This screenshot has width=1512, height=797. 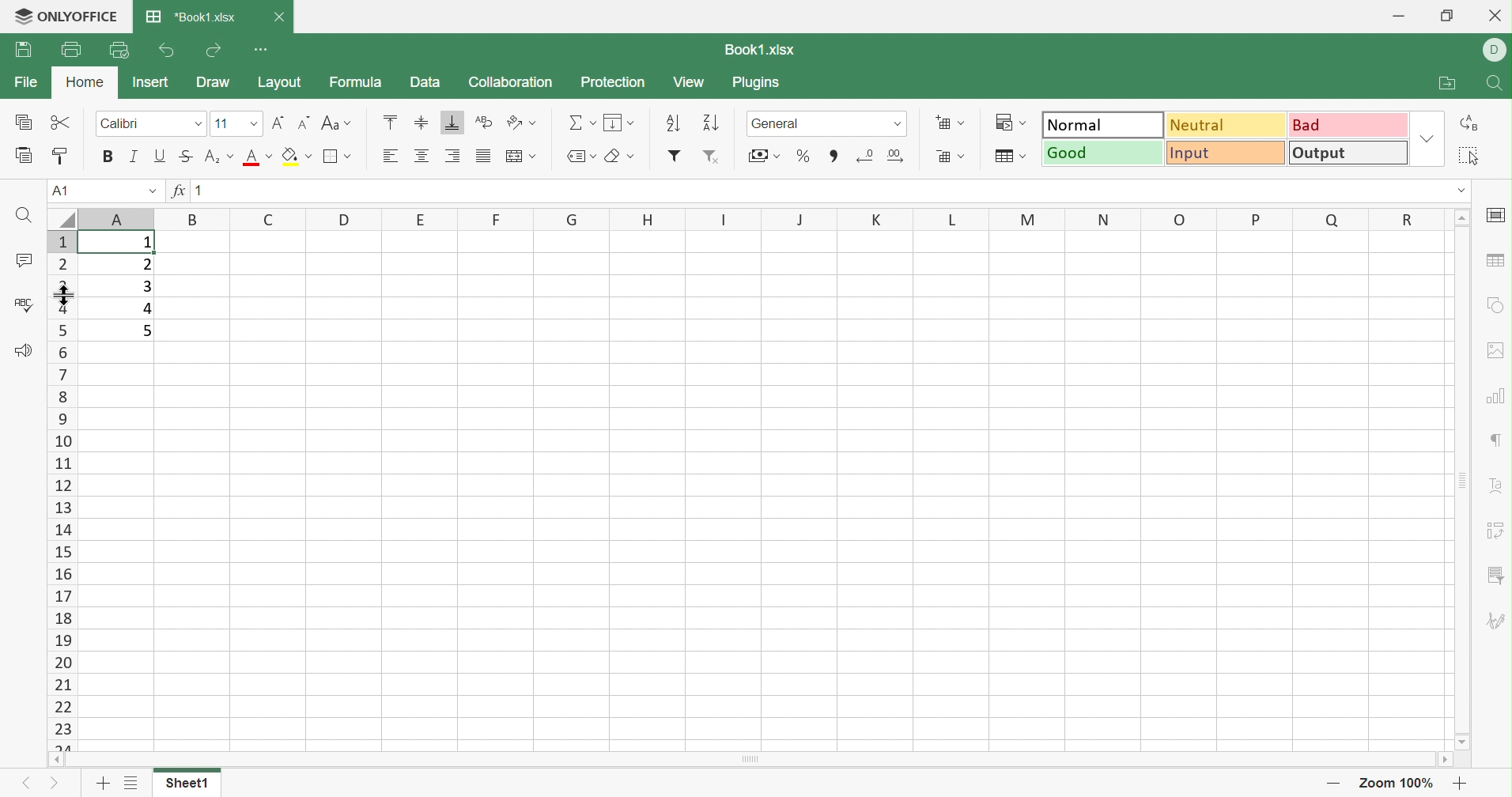 I want to click on Clear, so click(x=614, y=157).